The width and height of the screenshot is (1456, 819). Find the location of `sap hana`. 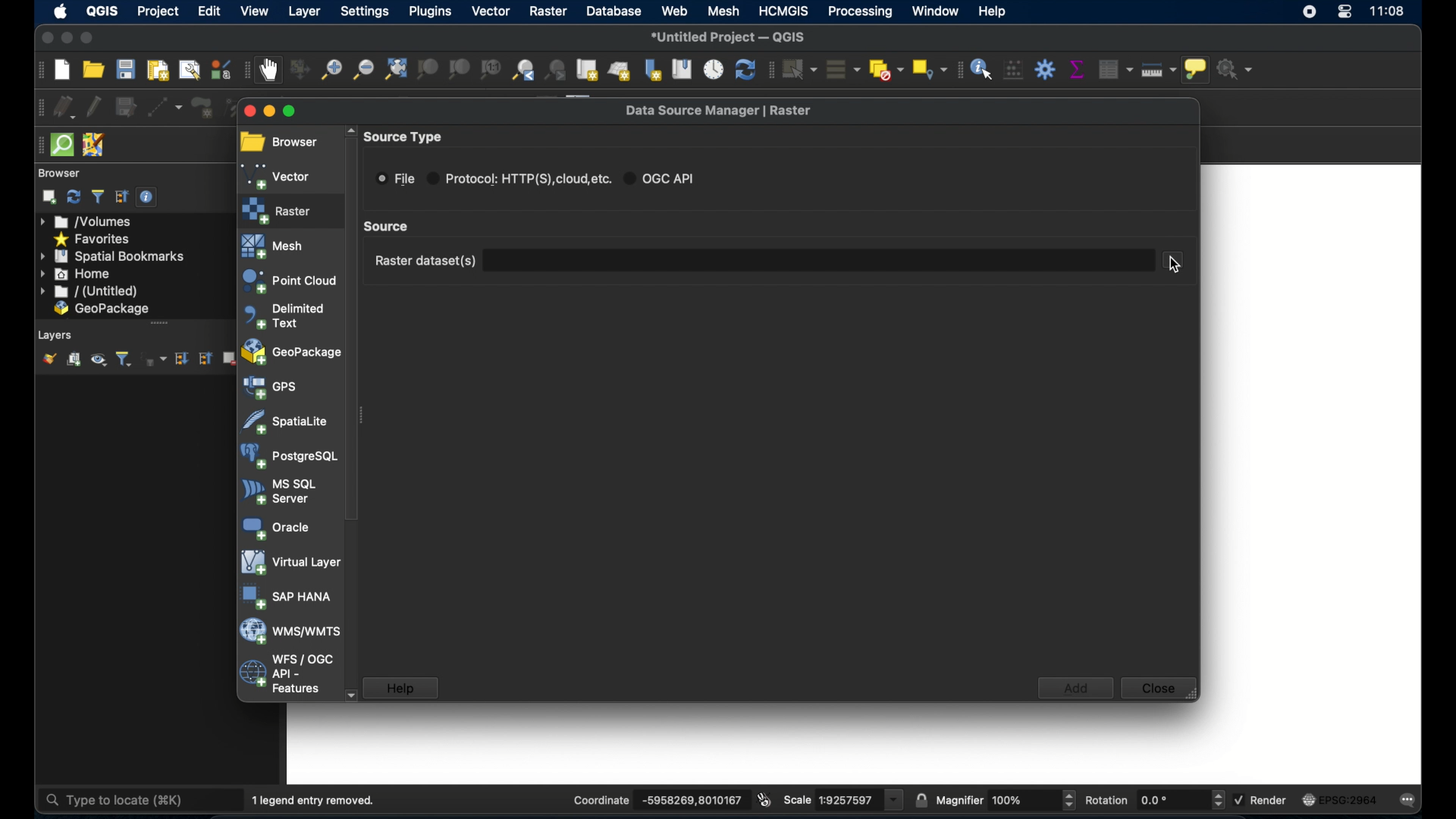

sap hana is located at coordinates (288, 596).